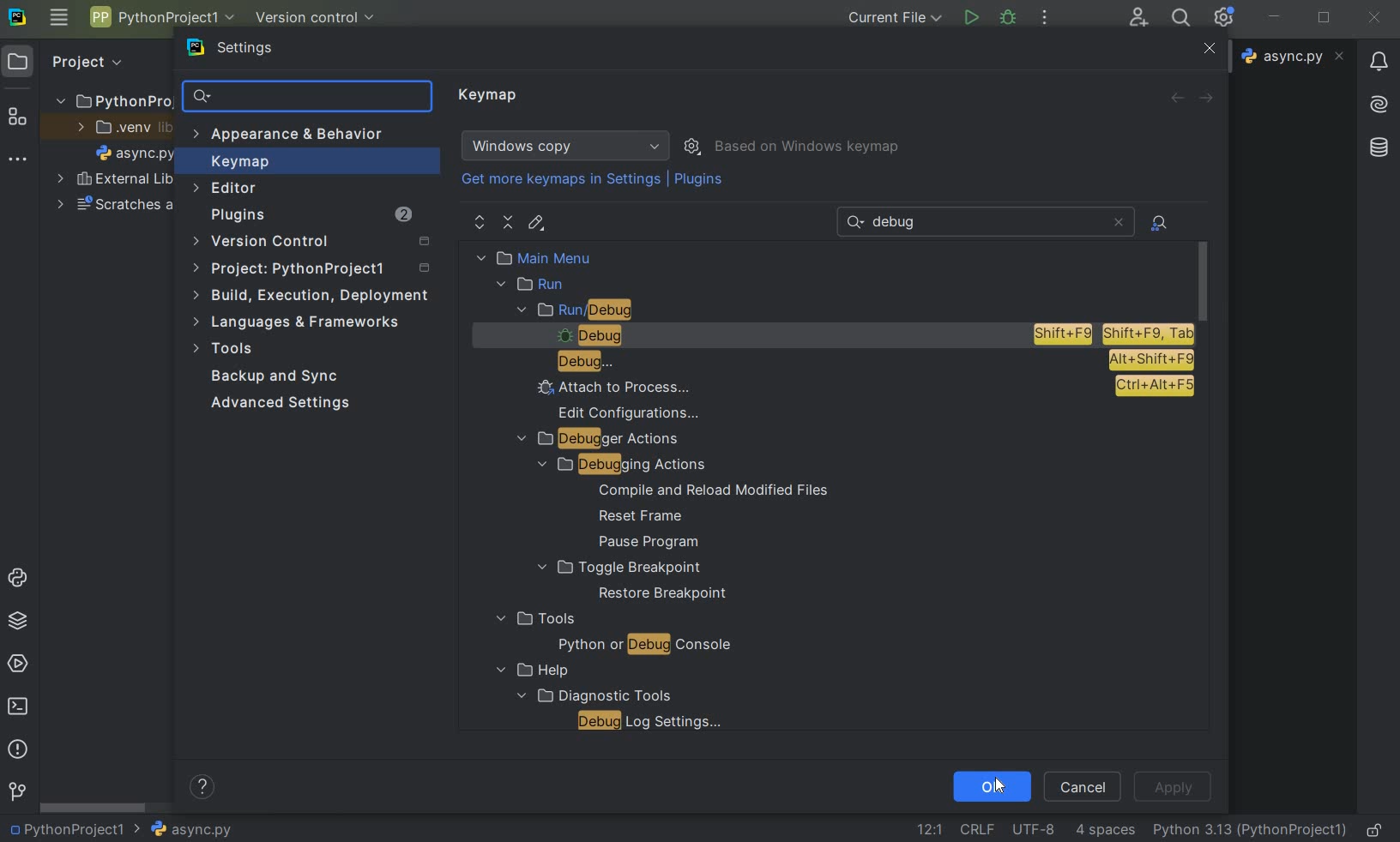 This screenshot has width=1400, height=842. What do you see at coordinates (202, 790) in the screenshot?
I see `show help contents` at bounding box center [202, 790].